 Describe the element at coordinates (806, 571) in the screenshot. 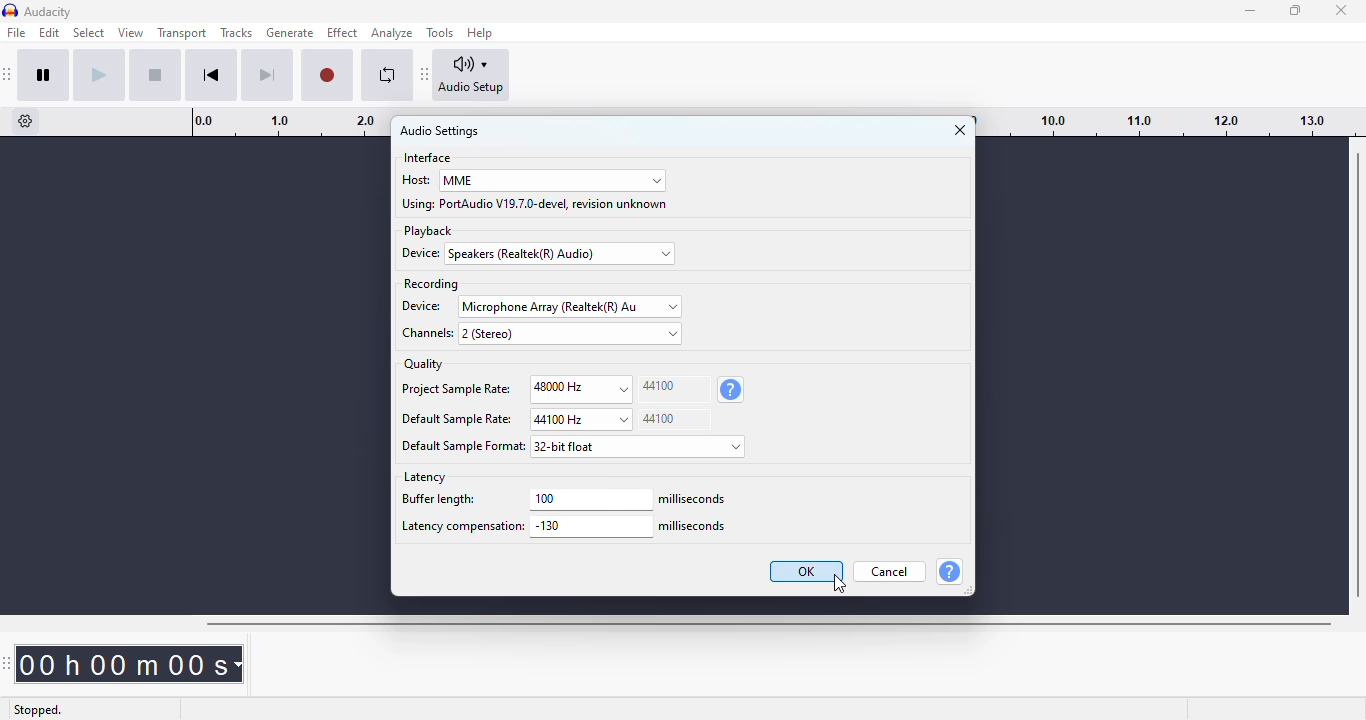

I see `OK` at that location.